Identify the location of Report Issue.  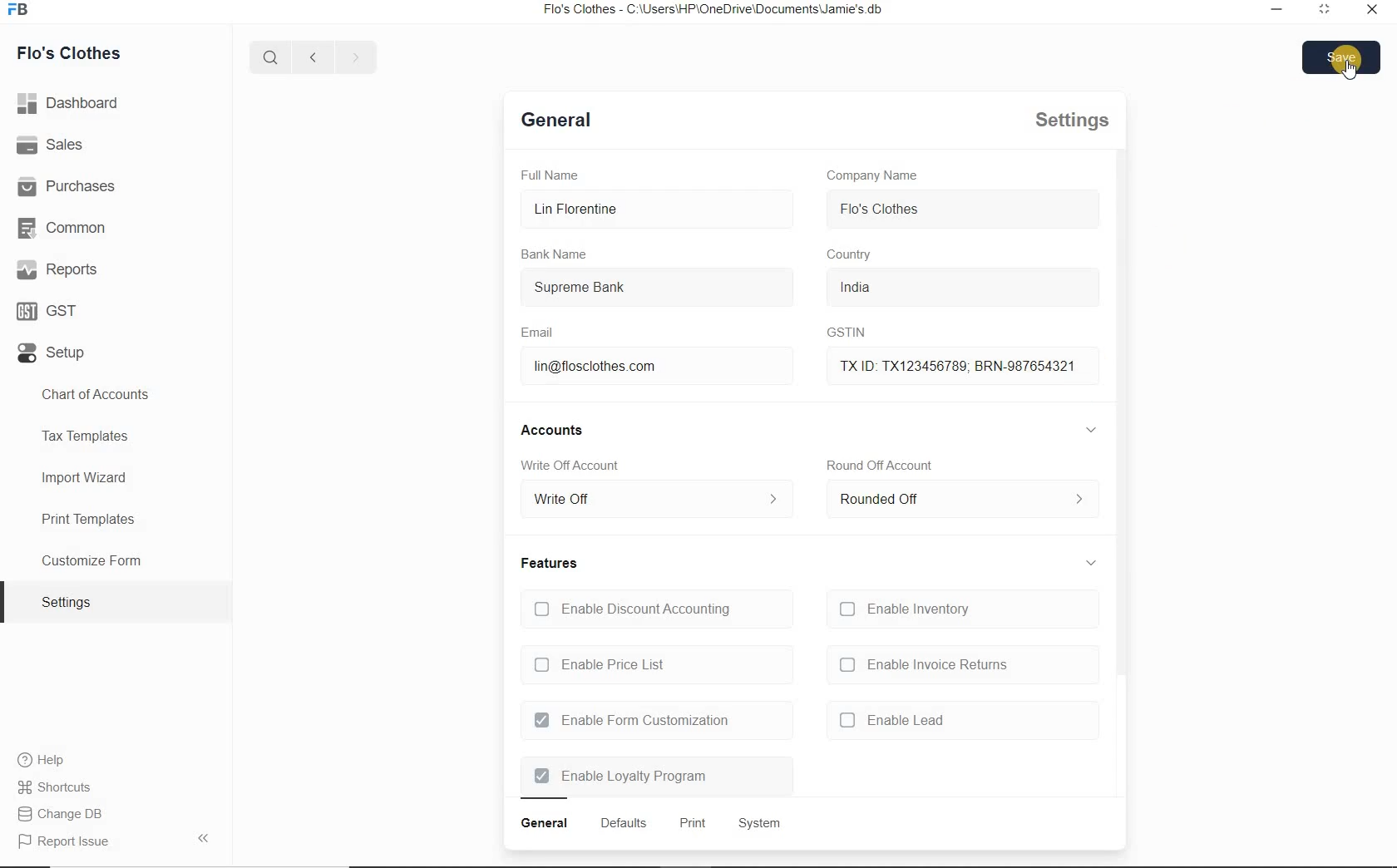
(68, 816).